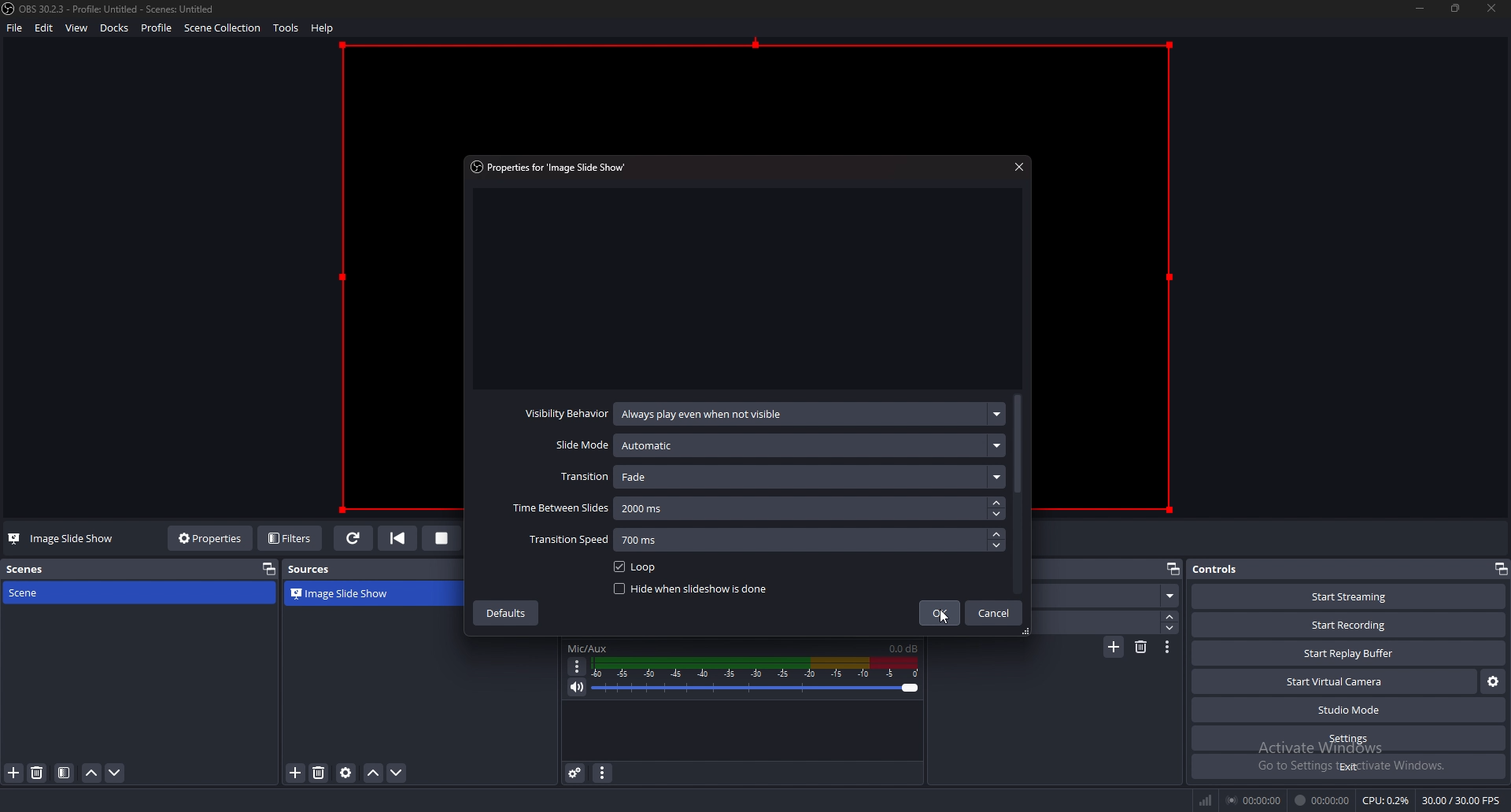 The width and height of the screenshot is (1511, 812). What do you see at coordinates (753, 509) in the screenshot?
I see `time between slides` at bounding box center [753, 509].